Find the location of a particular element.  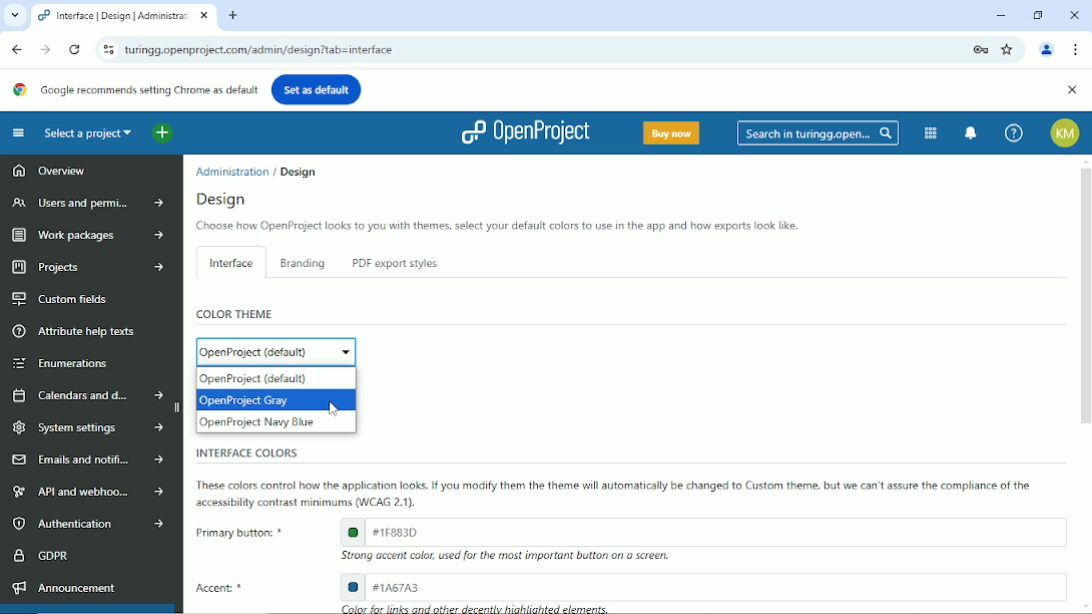

INTERFACE COLORS is located at coordinates (243, 452).